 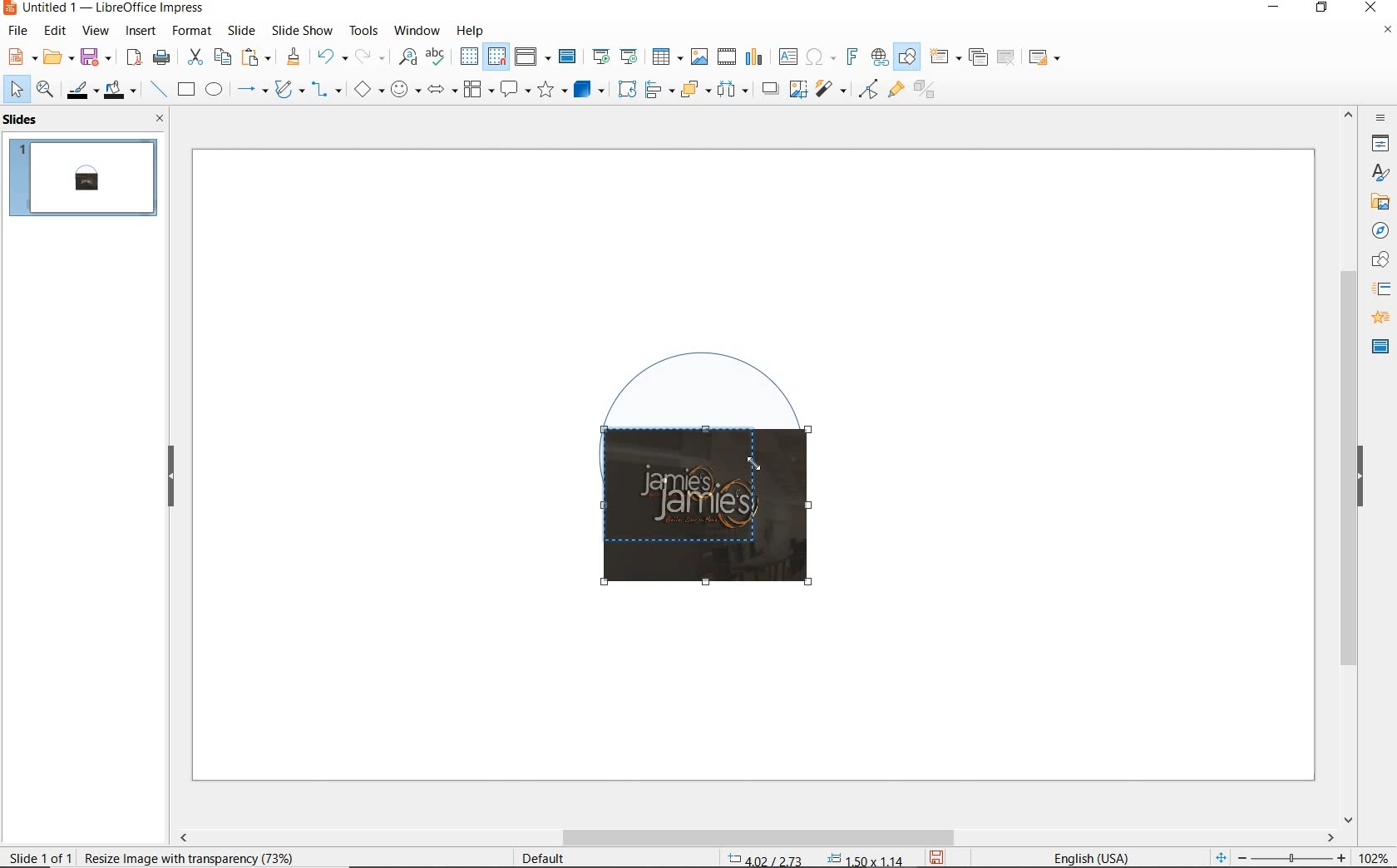 I want to click on insert video, so click(x=725, y=56).